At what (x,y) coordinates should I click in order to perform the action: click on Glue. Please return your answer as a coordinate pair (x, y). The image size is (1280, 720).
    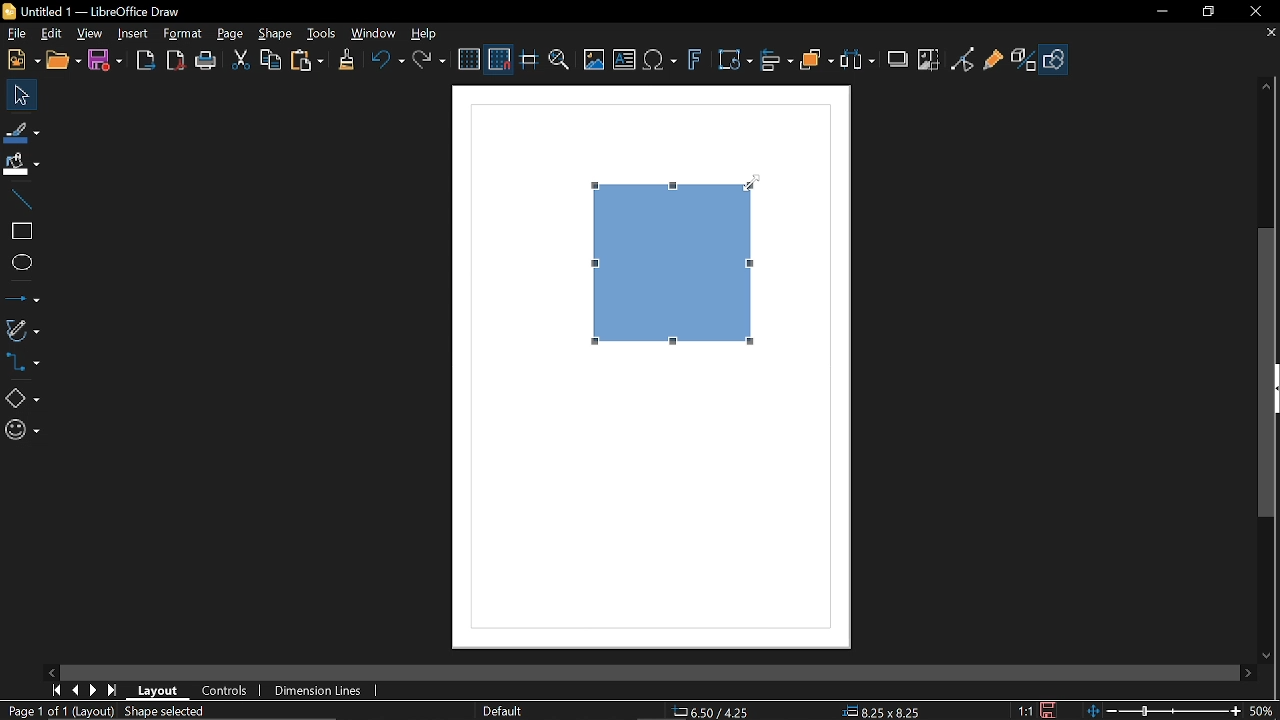
    Looking at the image, I should click on (994, 62).